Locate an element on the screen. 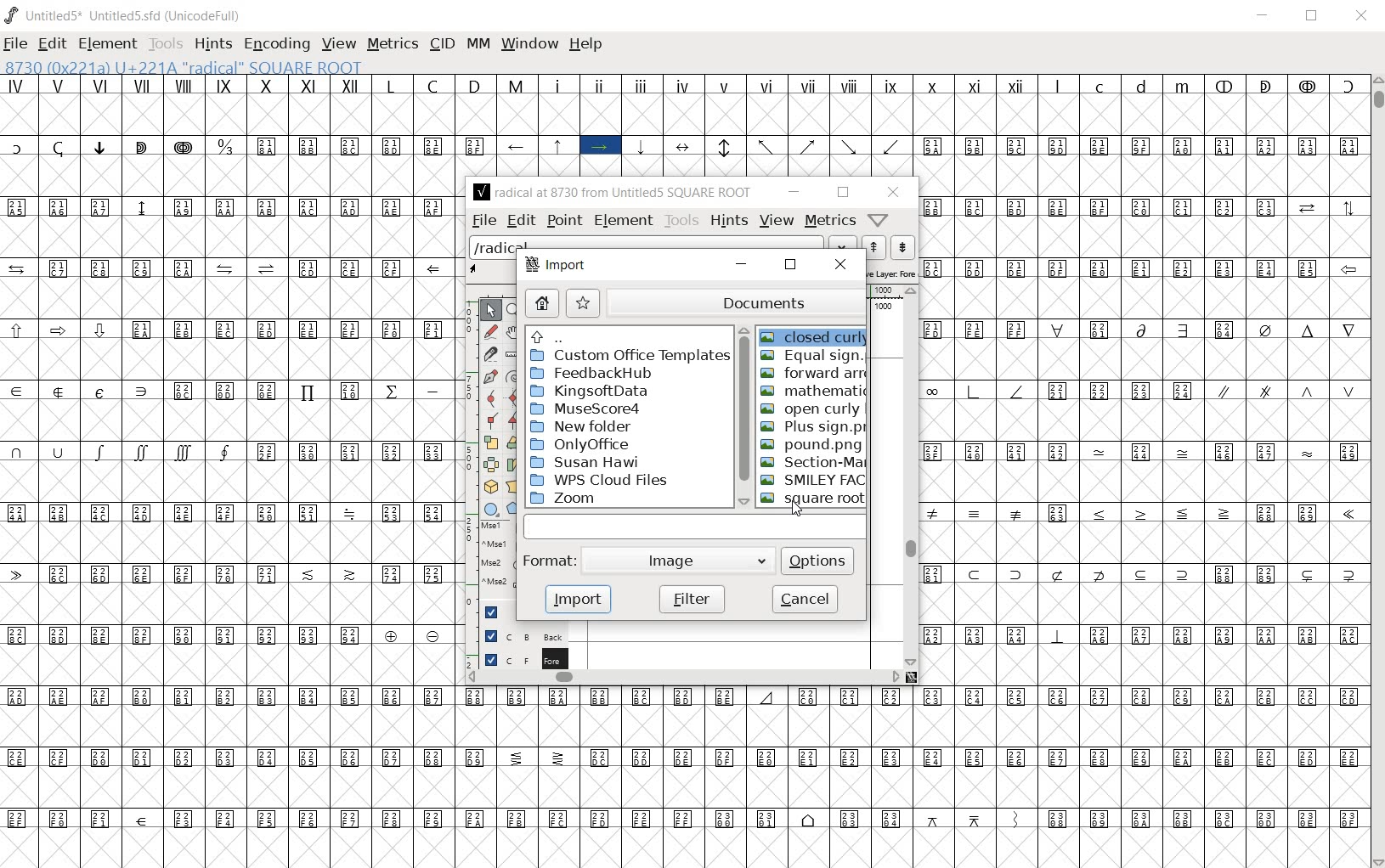 Image resolution: width=1385 pixels, height=868 pixels. cursor is located at coordinates (795, 508).